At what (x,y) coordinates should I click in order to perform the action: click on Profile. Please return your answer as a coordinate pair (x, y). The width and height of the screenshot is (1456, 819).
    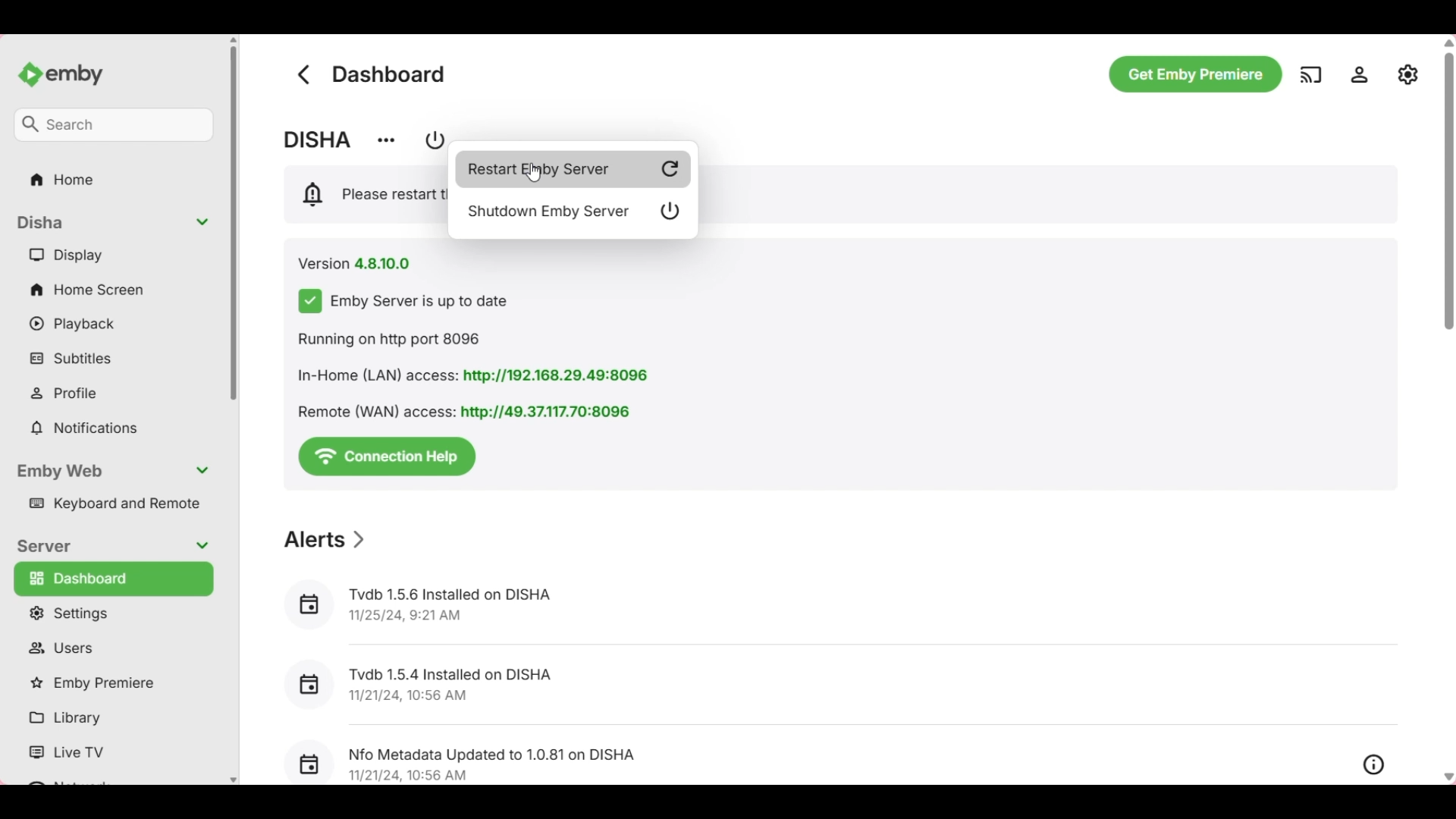
    Looking at the image, I should click on (115, 393).